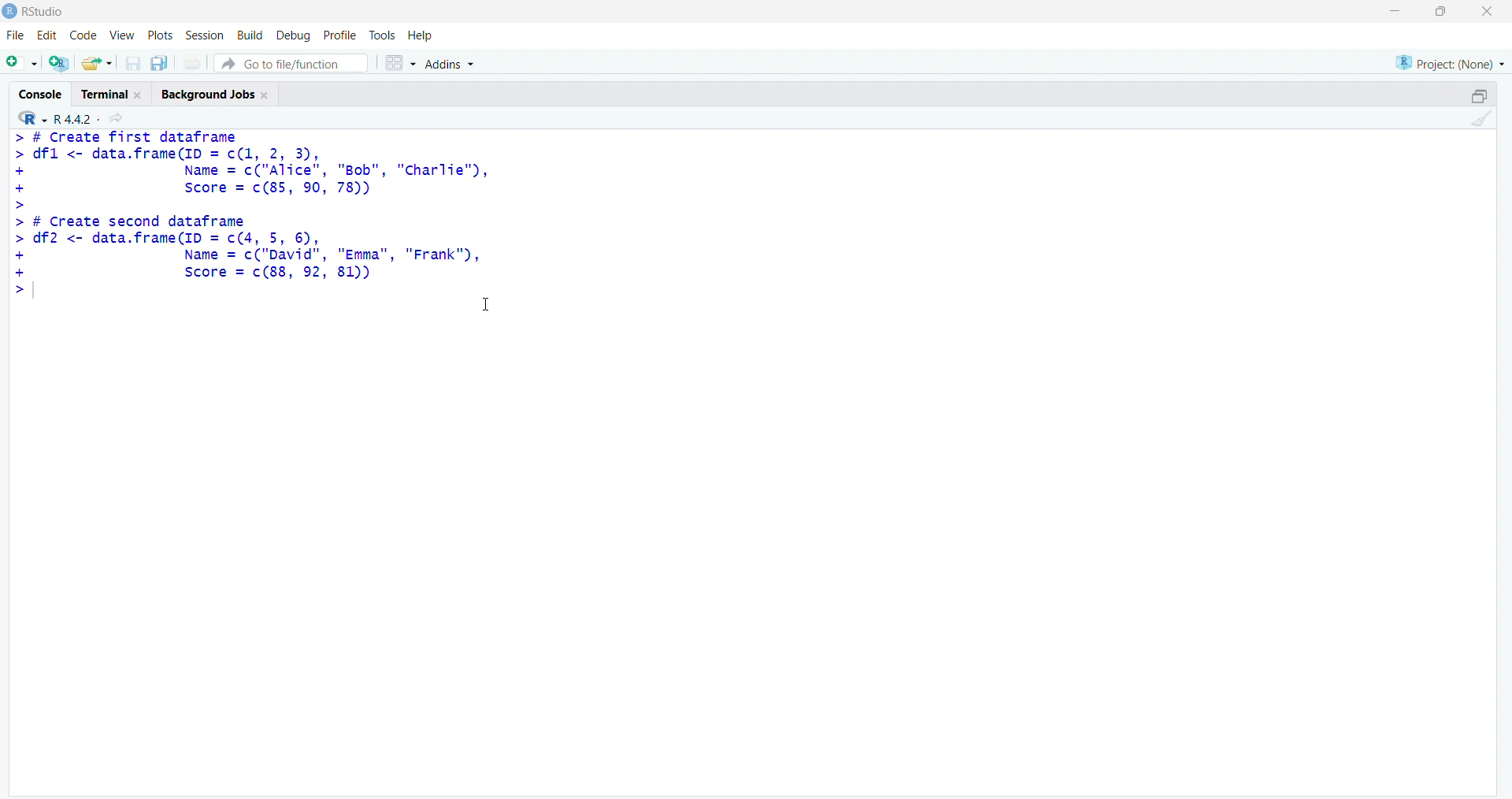  I want to click on clear console, so click(1477, 118).